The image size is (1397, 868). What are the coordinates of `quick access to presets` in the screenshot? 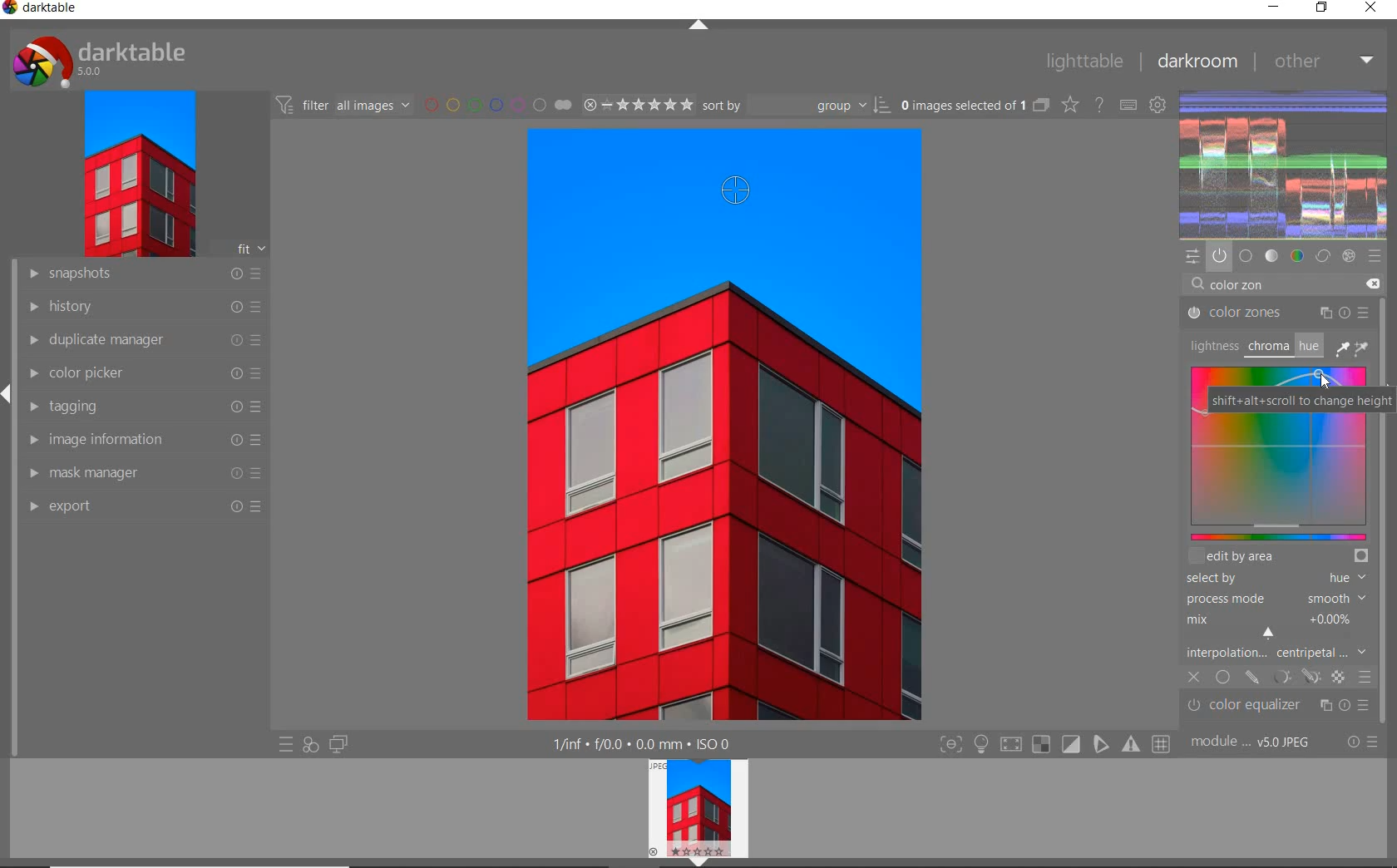 It's located at (286, 746).